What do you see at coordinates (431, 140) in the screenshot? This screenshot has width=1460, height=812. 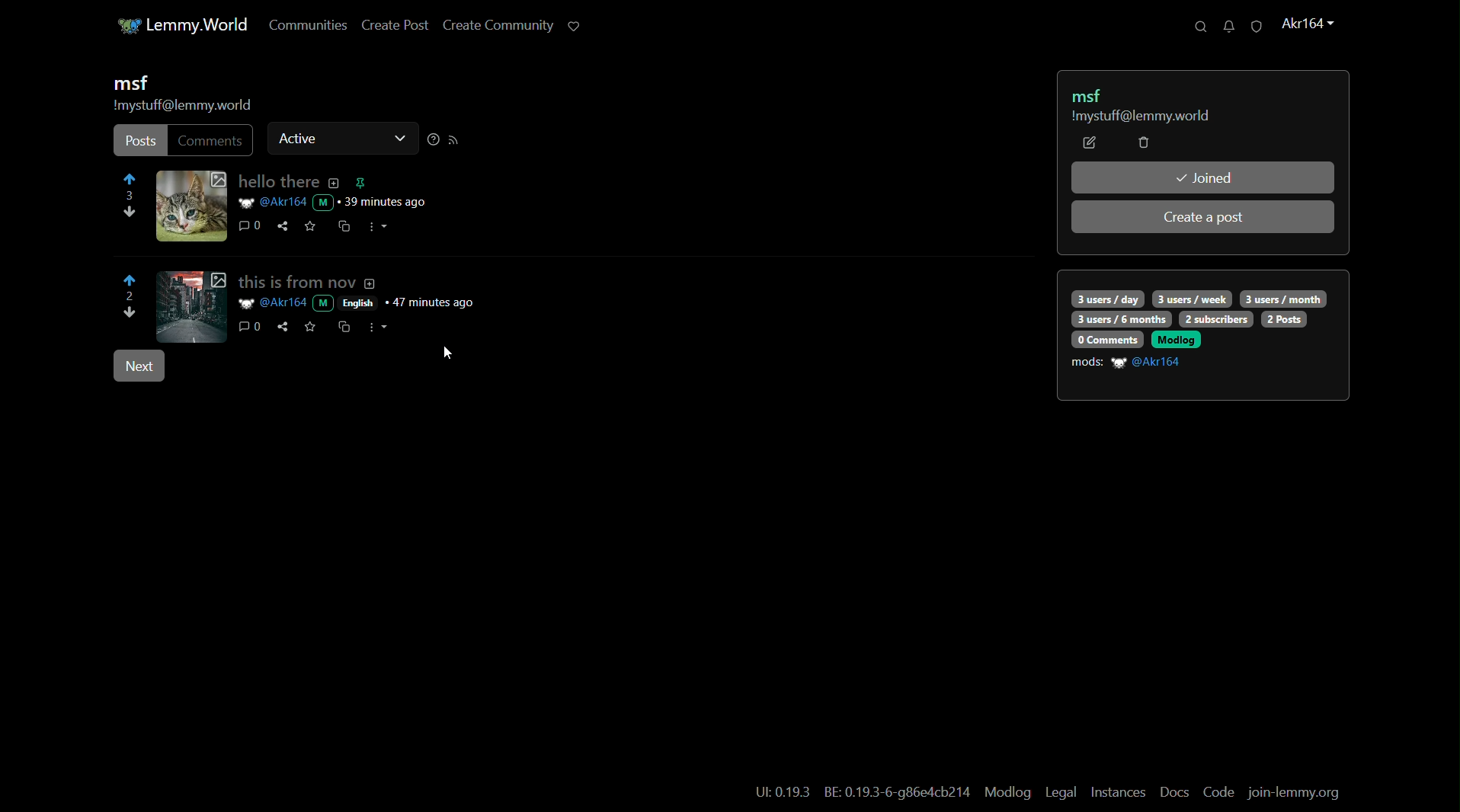 I see `sorting help` at bounding box center [431, 140].